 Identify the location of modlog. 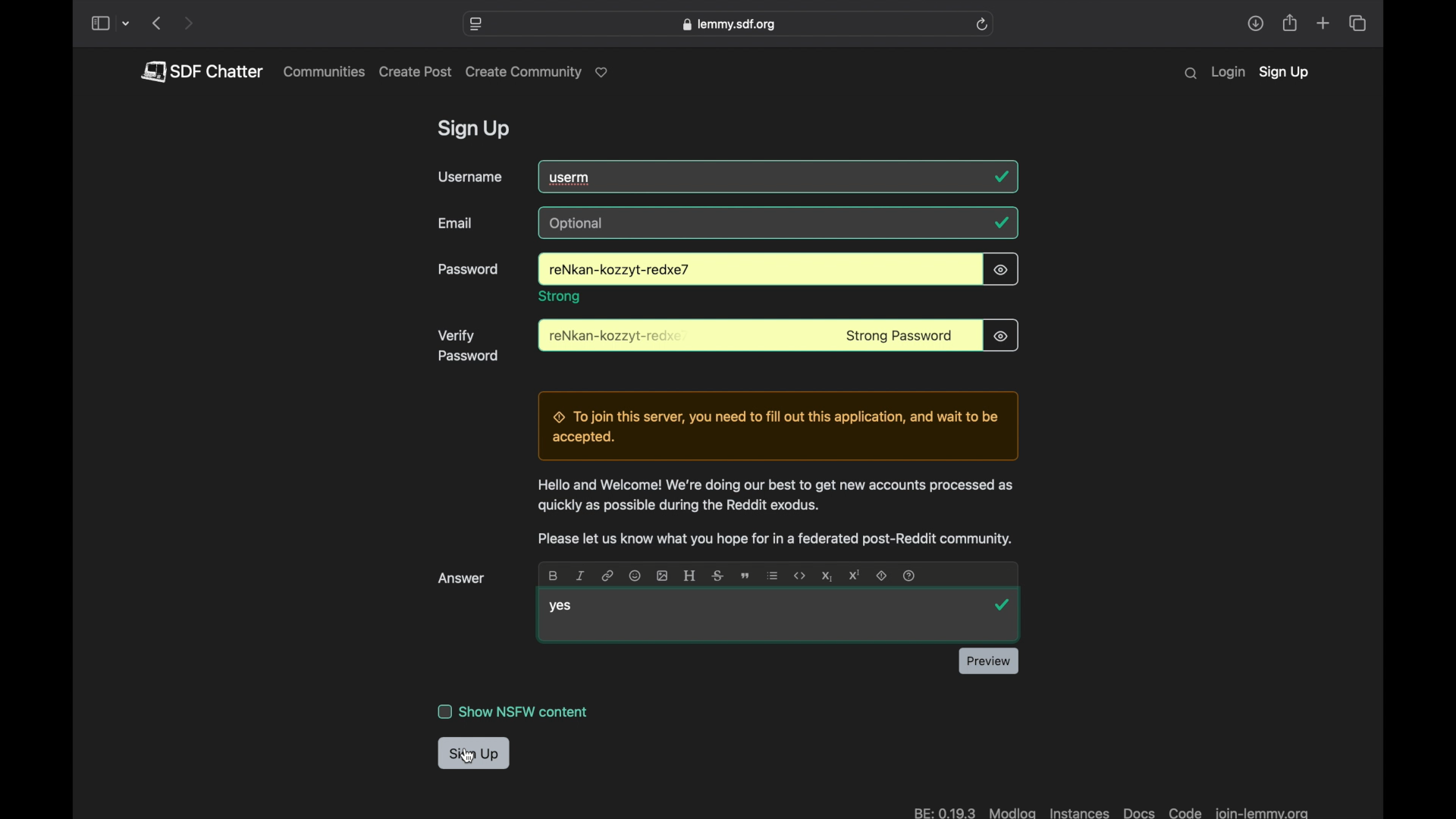
(1013, 811).